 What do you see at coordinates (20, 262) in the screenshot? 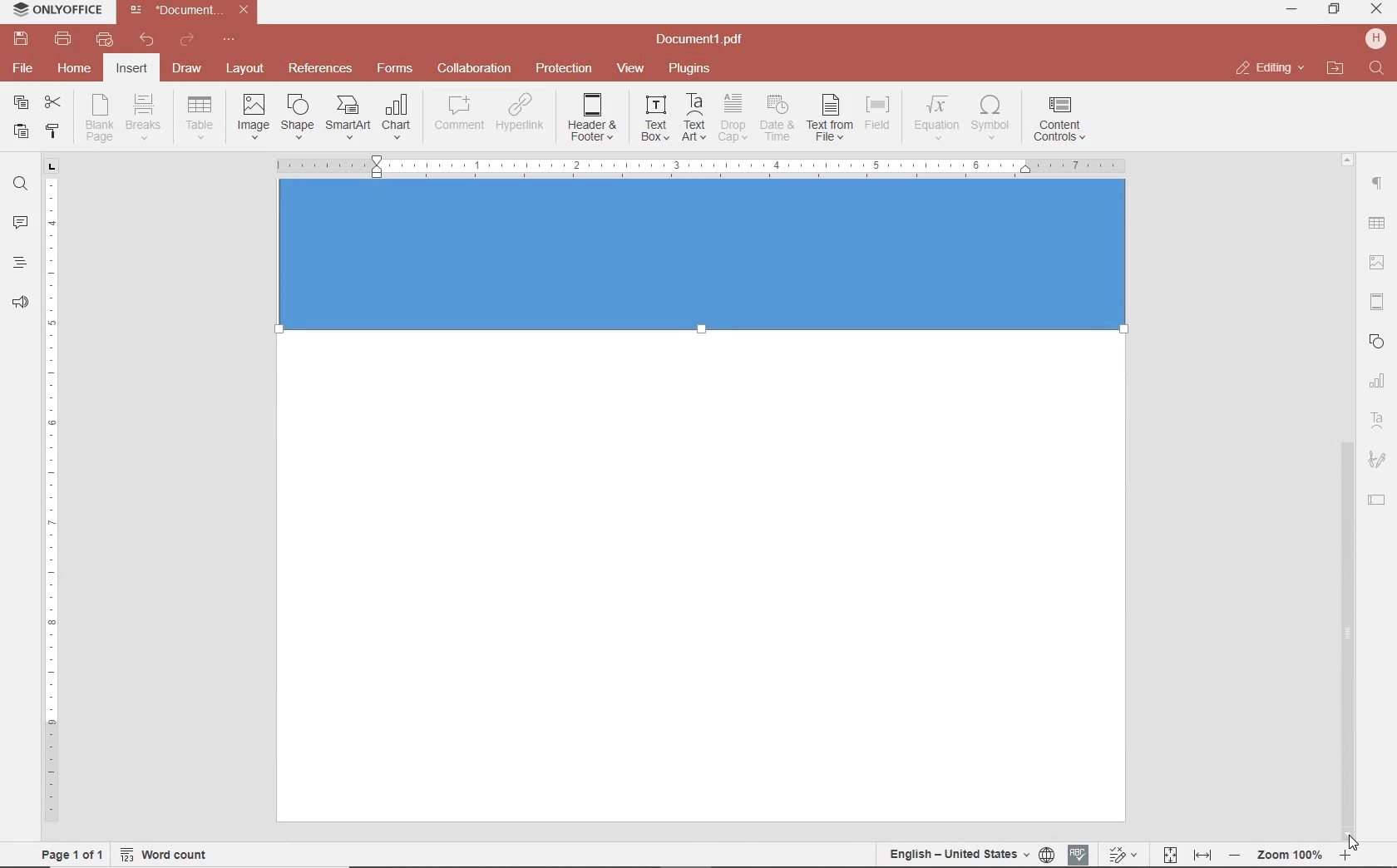
I see `heading` at bounding box center [20, 262].